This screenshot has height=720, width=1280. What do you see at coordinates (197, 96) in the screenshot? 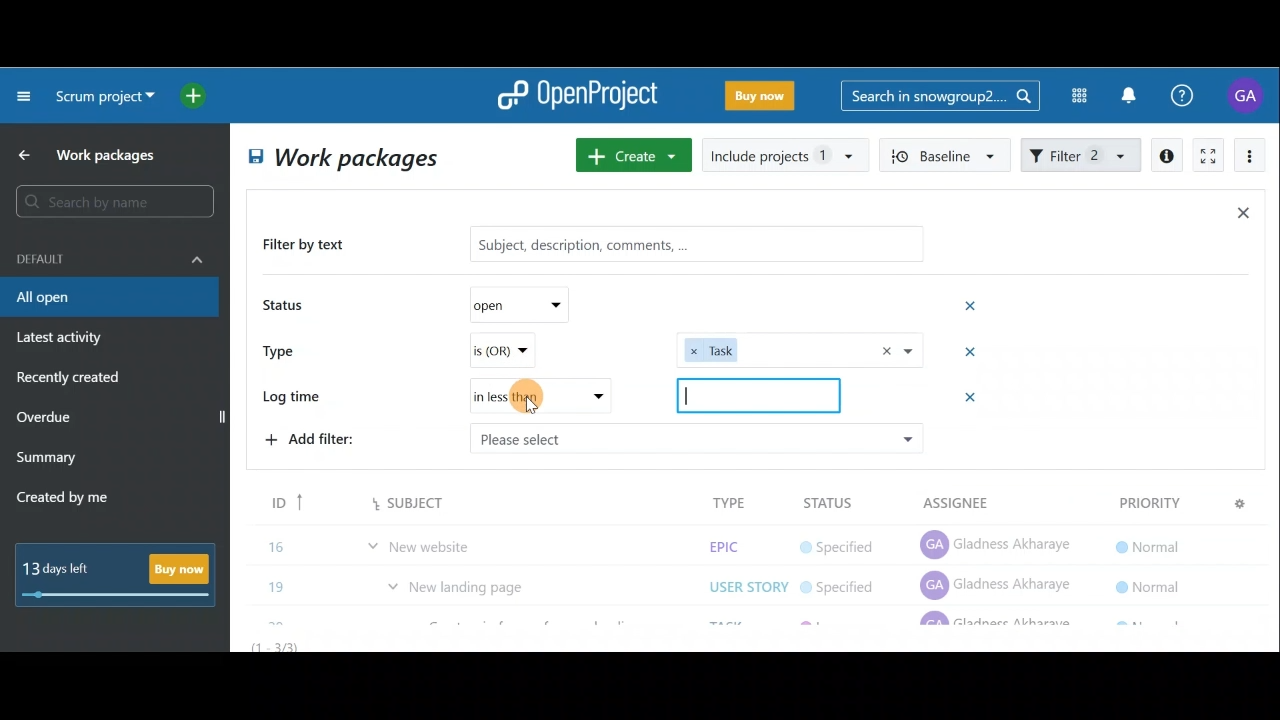
I see `Open quick add menu` at bounding box center [197, 96].